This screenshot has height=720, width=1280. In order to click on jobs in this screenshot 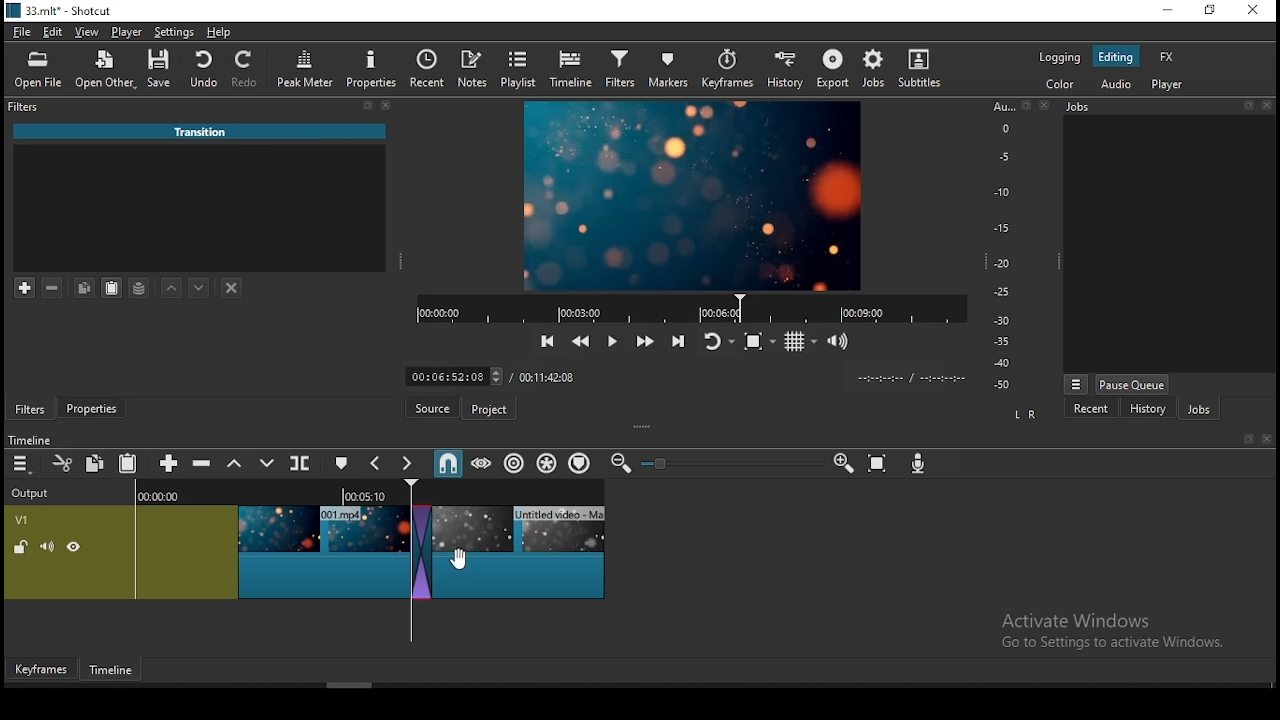, I will do `click(1196, 406)`.